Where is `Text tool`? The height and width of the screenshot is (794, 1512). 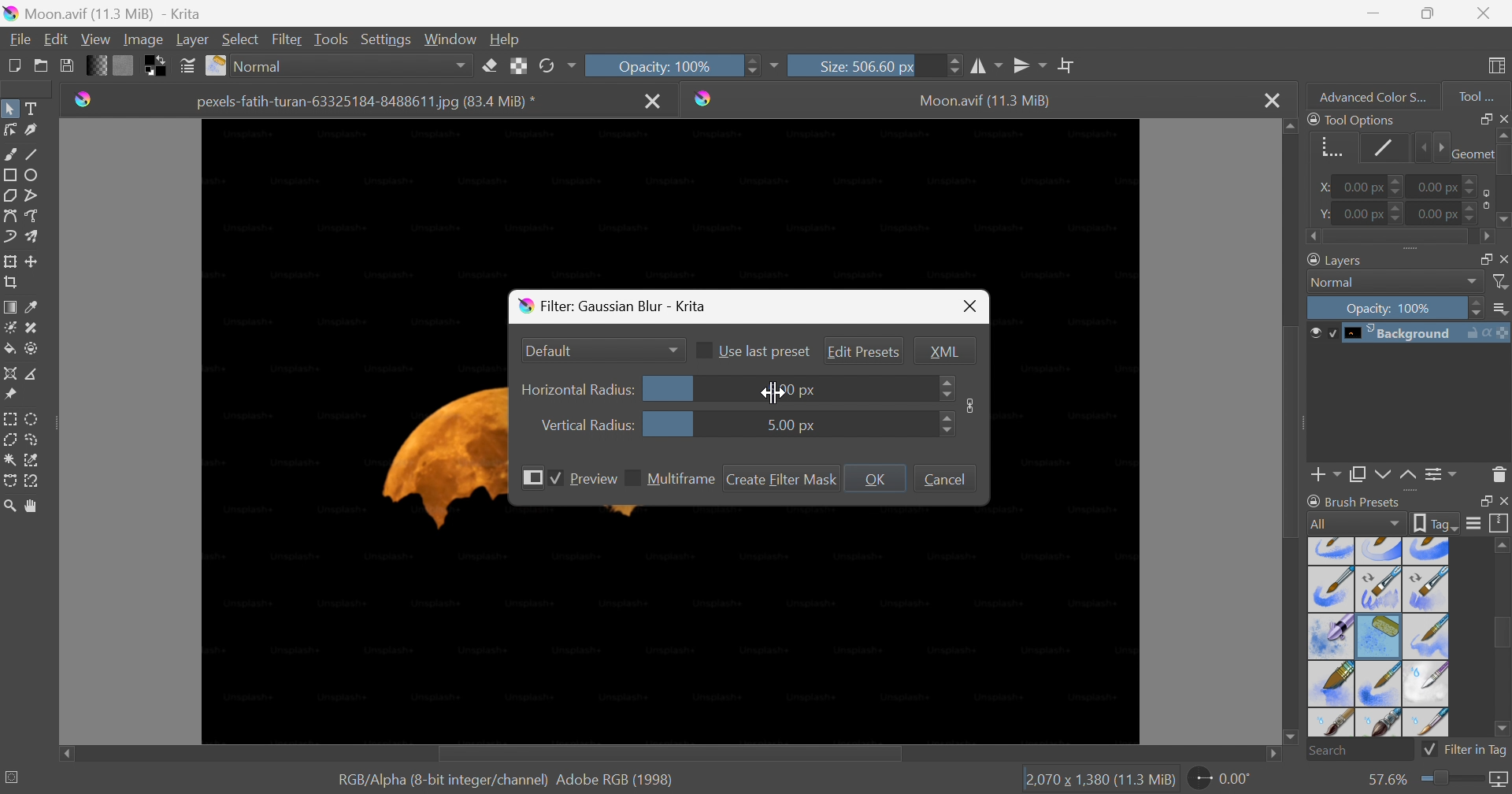 Text tool is located at coordinates (31, 108).